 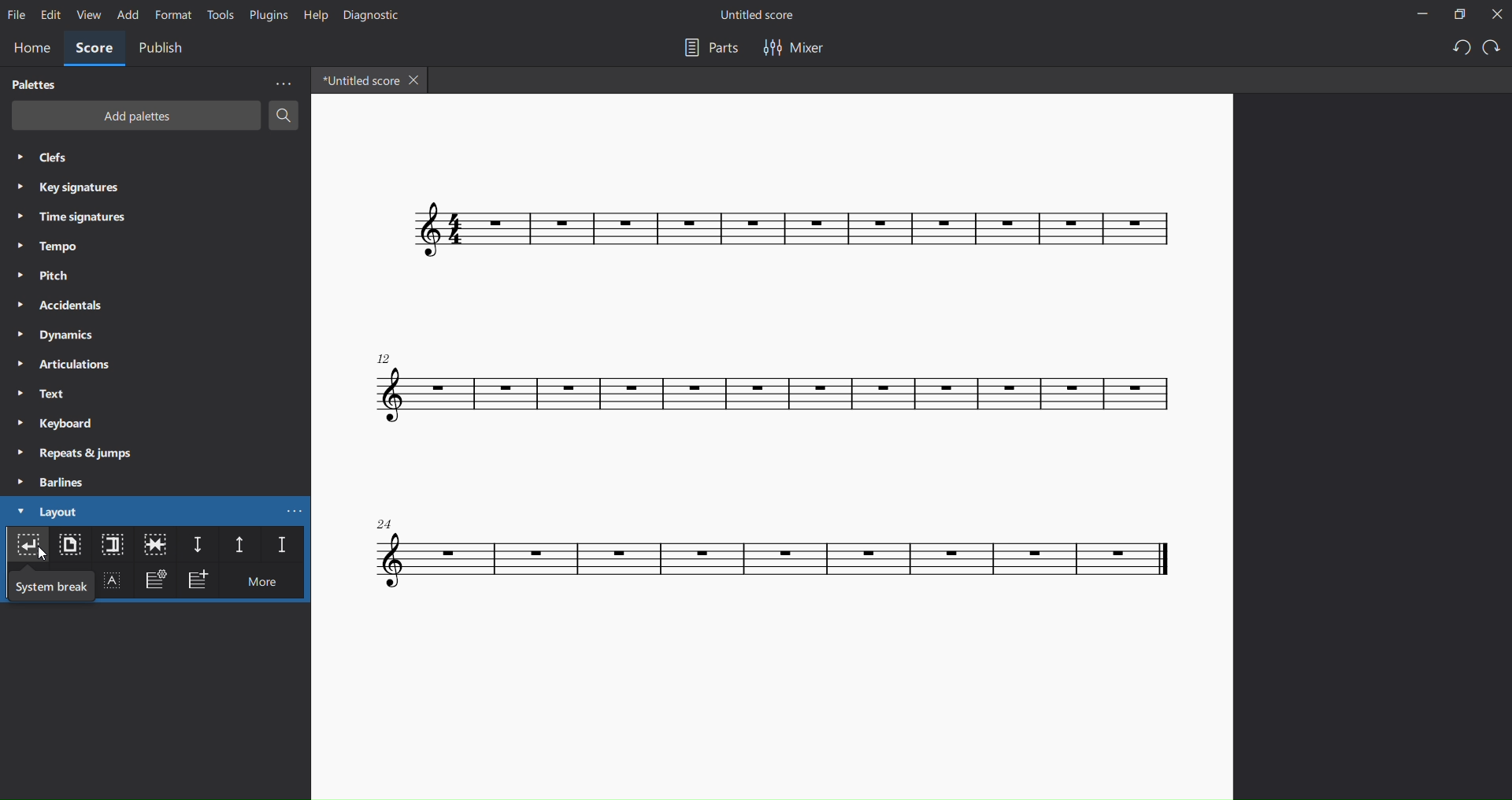 I want to click on tempo, so click(x=45, y=246).